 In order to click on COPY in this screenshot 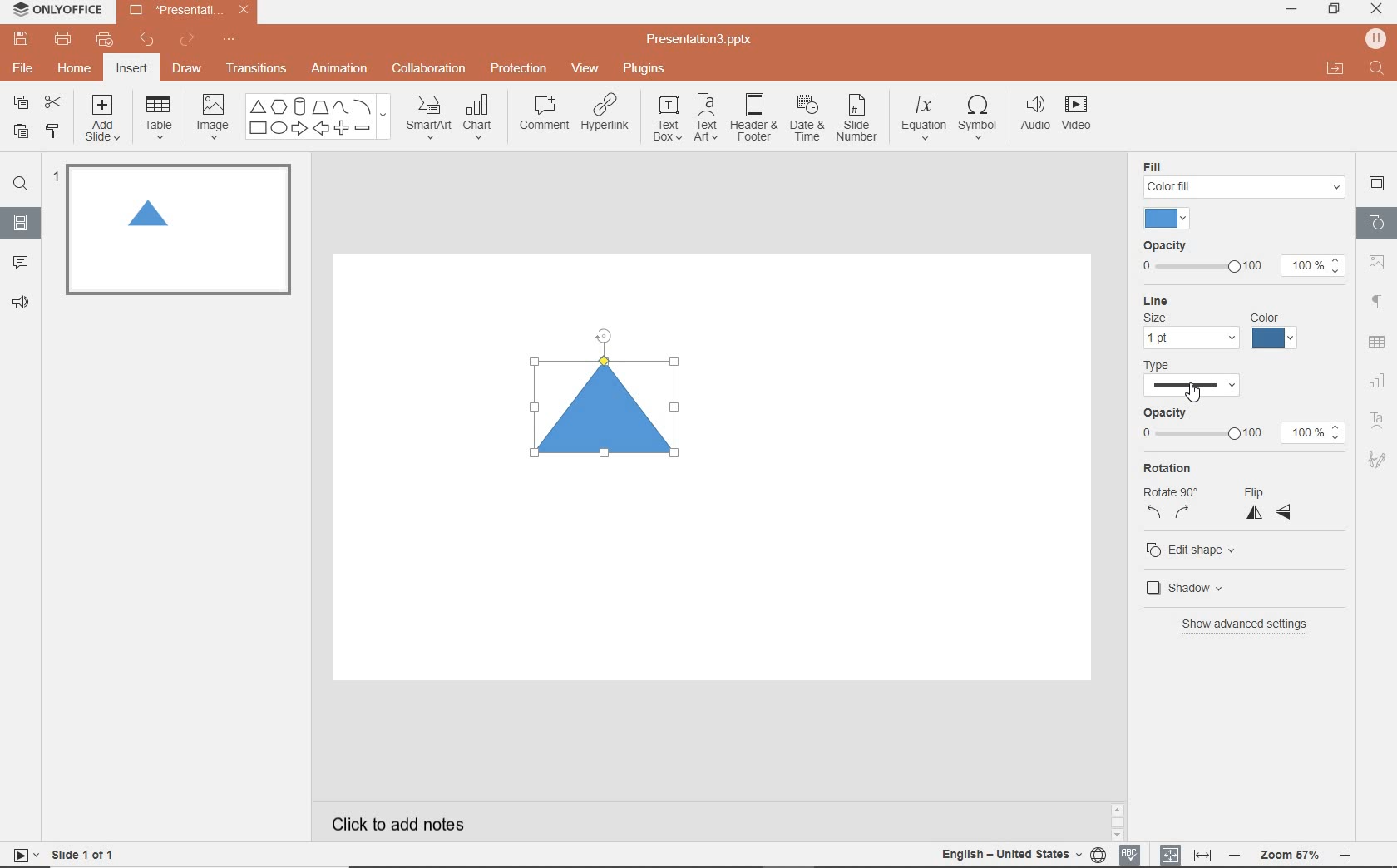, I will do `click(22, 105)`.